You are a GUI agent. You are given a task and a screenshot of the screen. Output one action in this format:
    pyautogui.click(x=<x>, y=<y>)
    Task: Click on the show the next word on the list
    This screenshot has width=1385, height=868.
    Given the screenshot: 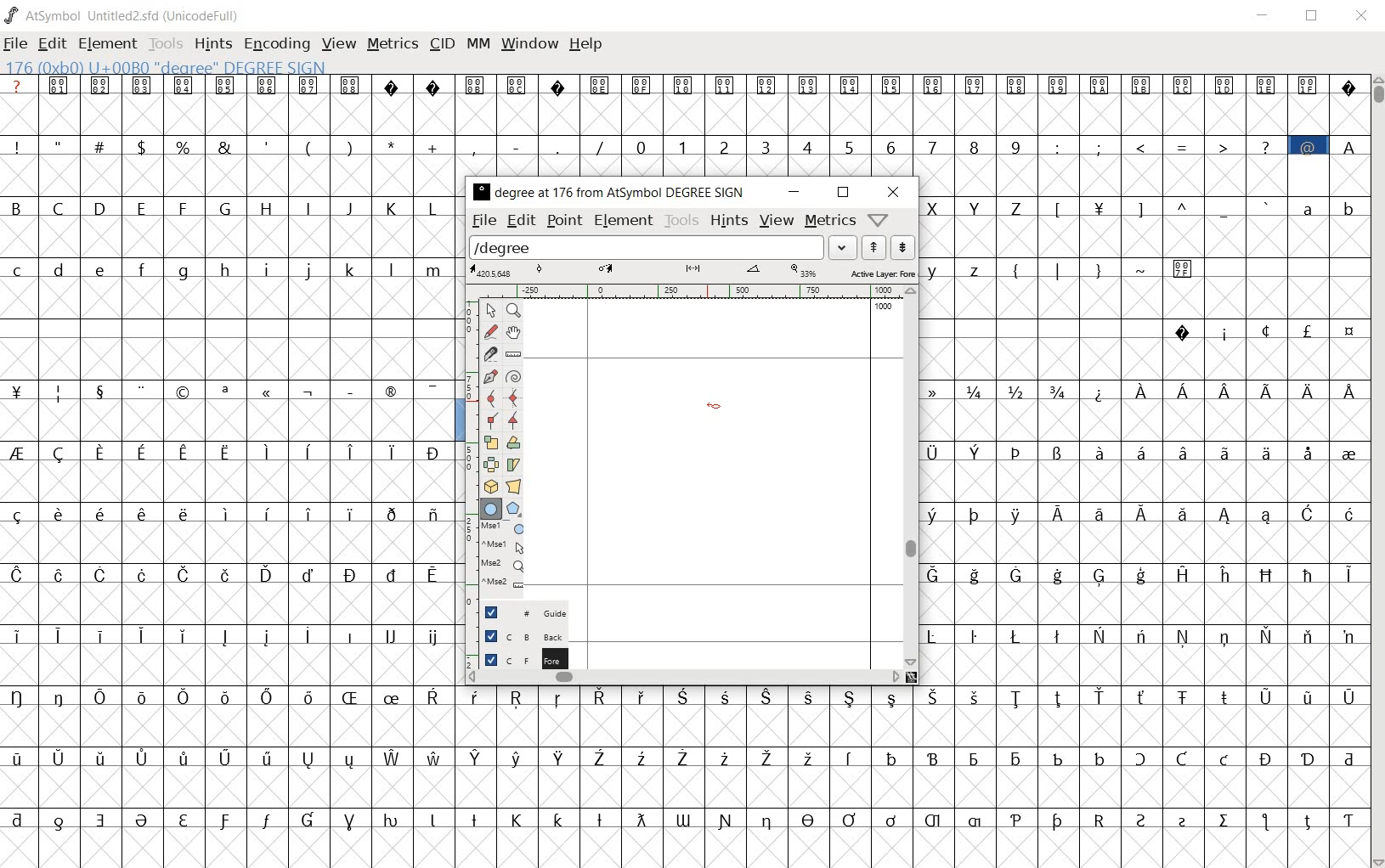 What is the action you would take?
    pyautogui.click(x=873, y=247)
    